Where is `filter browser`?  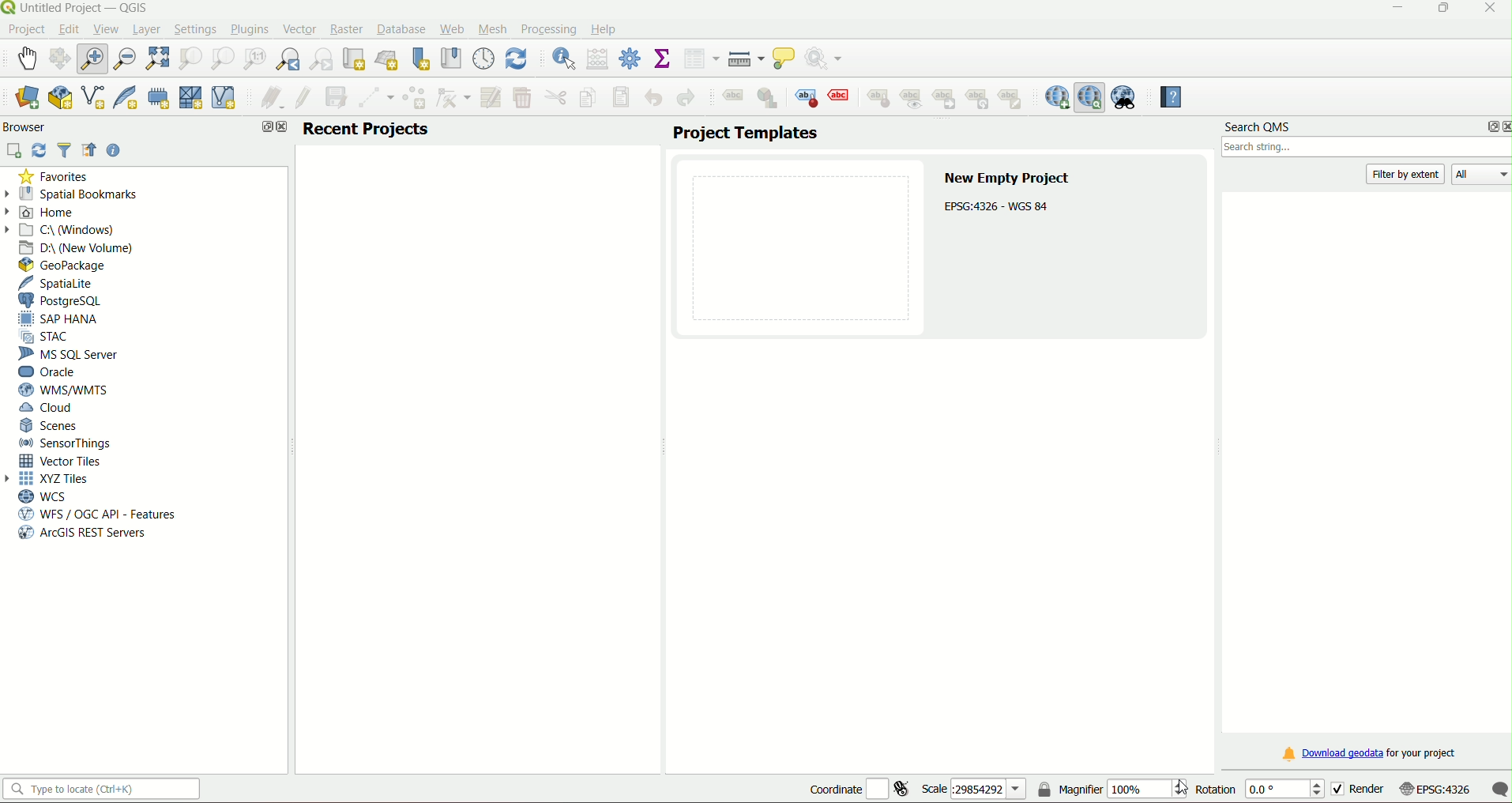 filter browser is located at coordinates (66, 152).